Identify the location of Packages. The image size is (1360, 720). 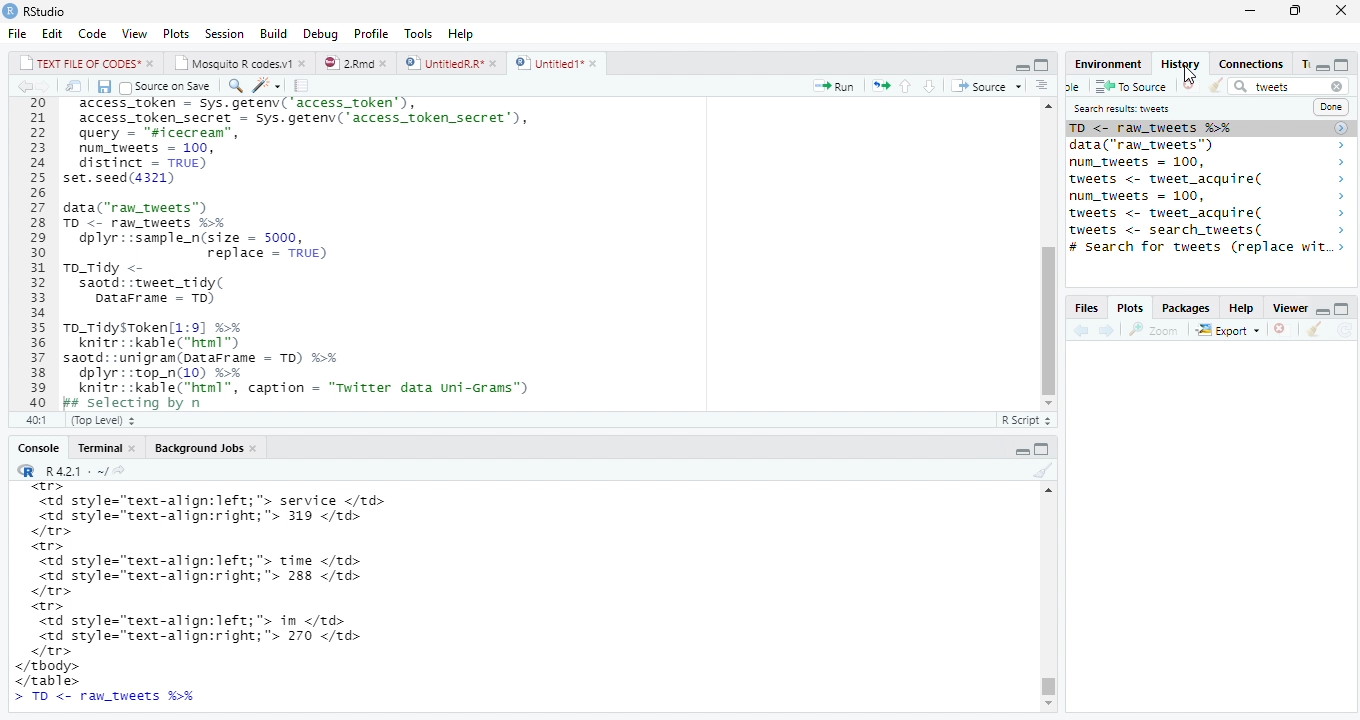
(1183, 308).